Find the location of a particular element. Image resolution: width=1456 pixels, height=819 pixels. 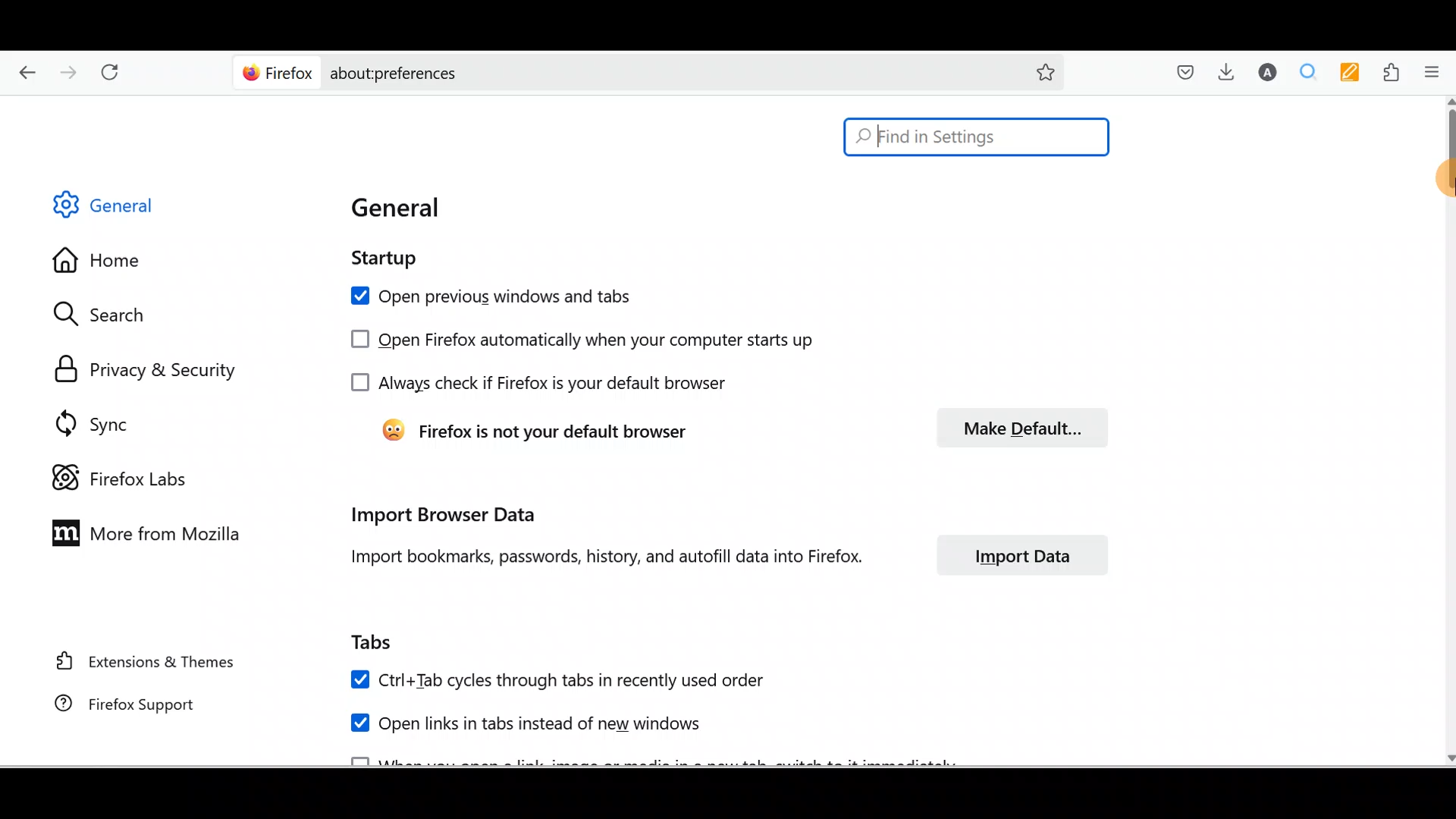

Home settings is located at coordinates (98, 258).